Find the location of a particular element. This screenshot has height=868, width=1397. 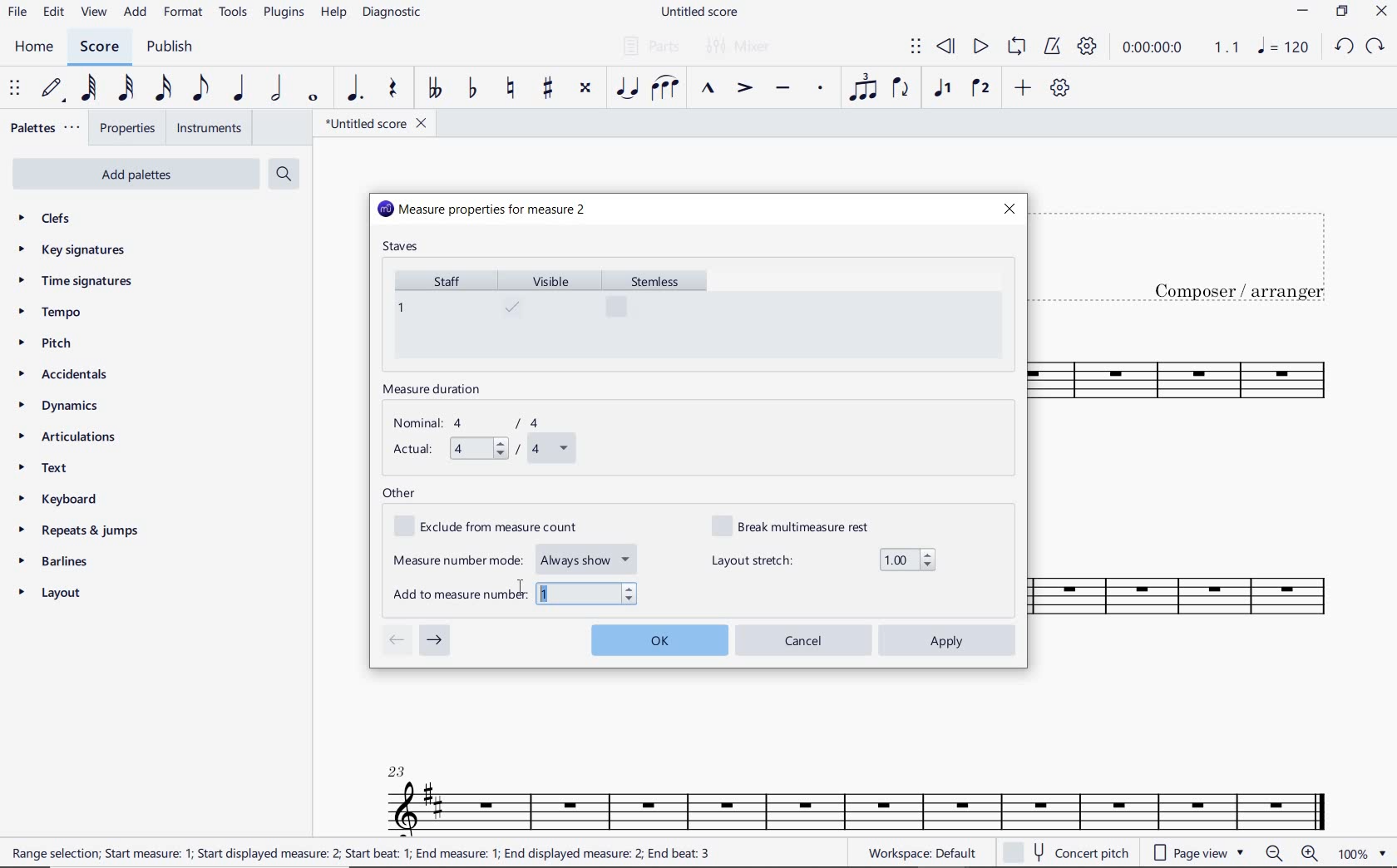

MINIMIZE is located at coordinates (1304, 13).